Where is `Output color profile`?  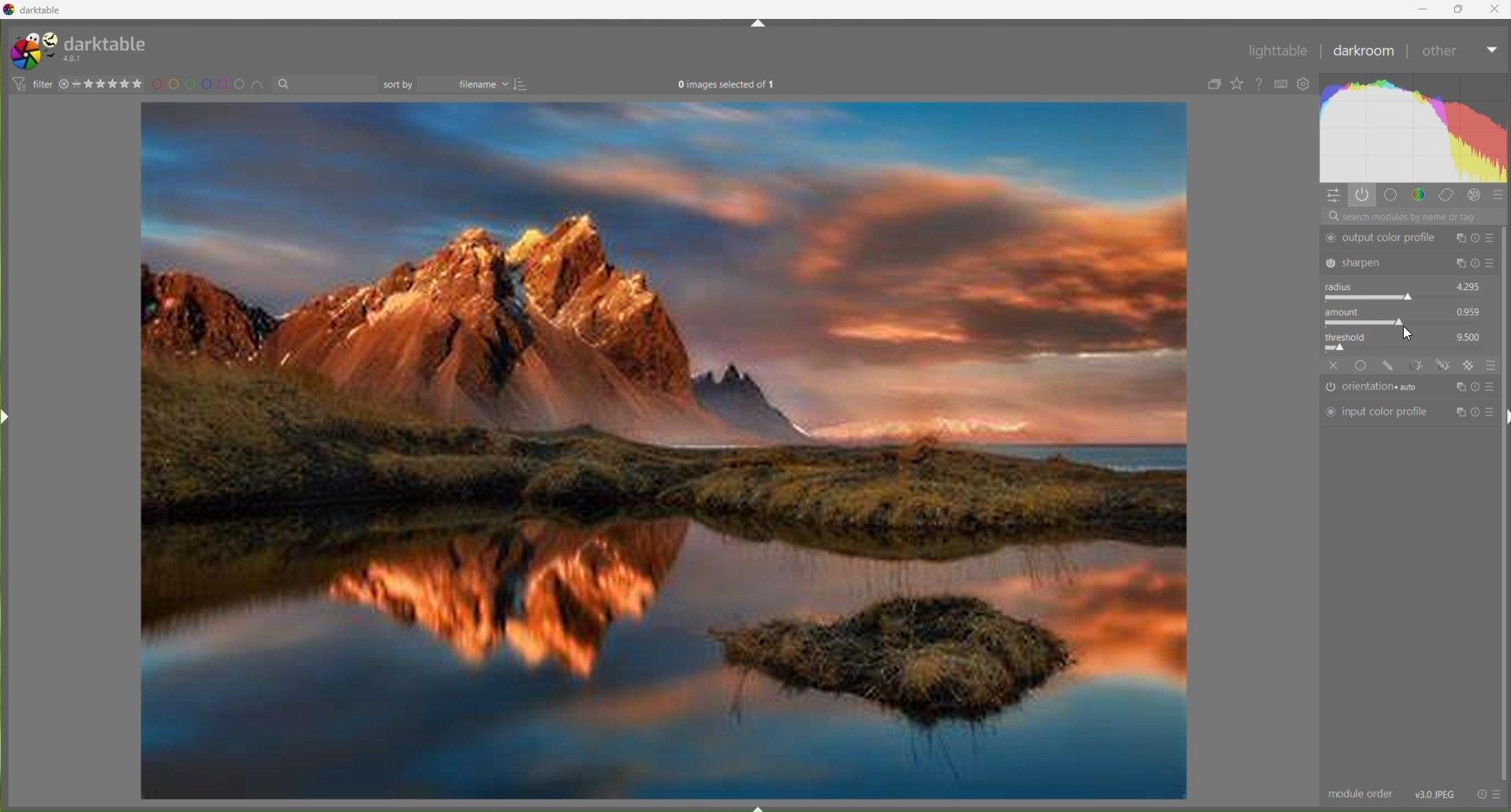
Output color profile is located at coordinates (1384, 238).